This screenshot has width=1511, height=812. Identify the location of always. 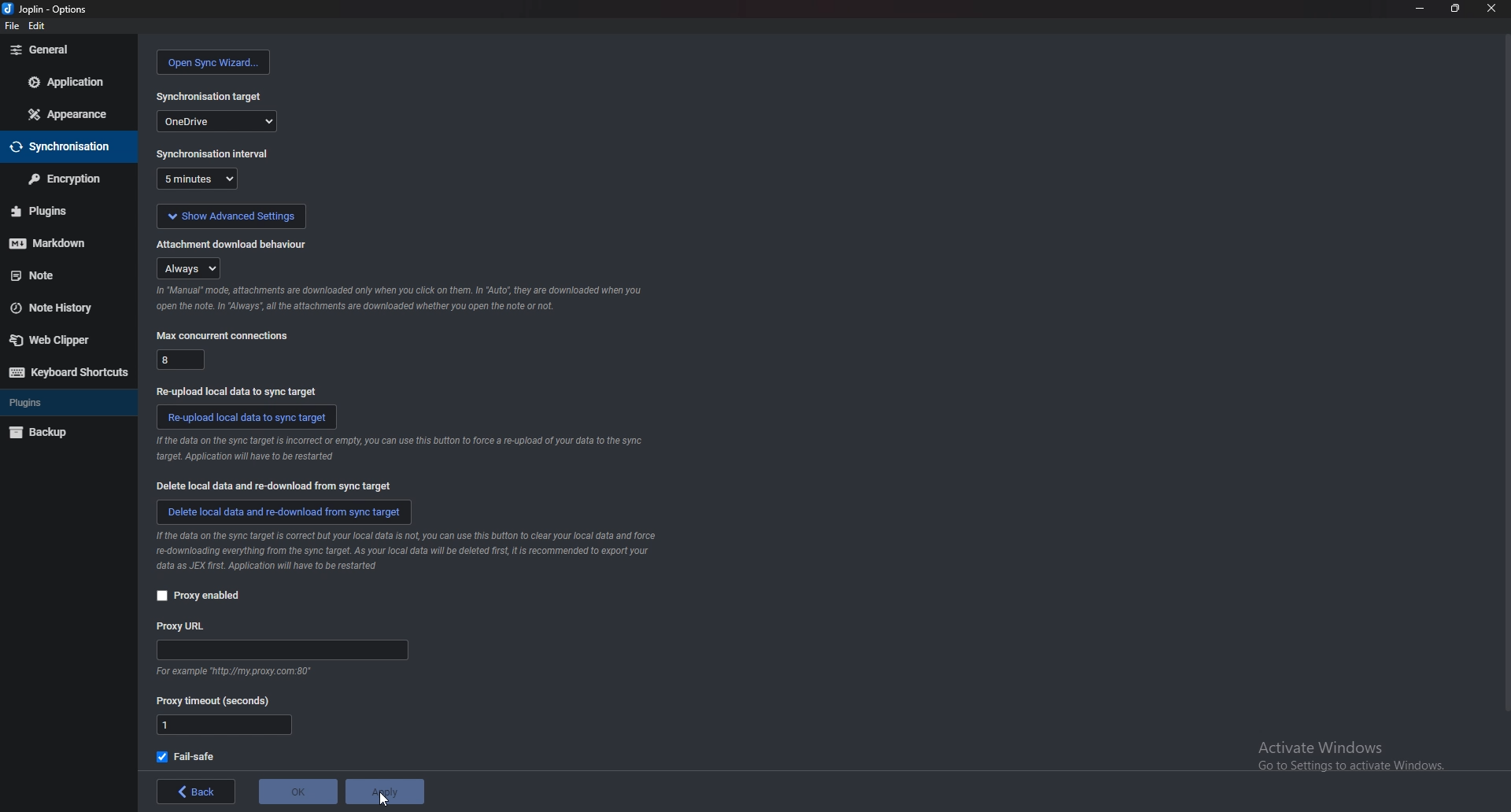
(187, 268).